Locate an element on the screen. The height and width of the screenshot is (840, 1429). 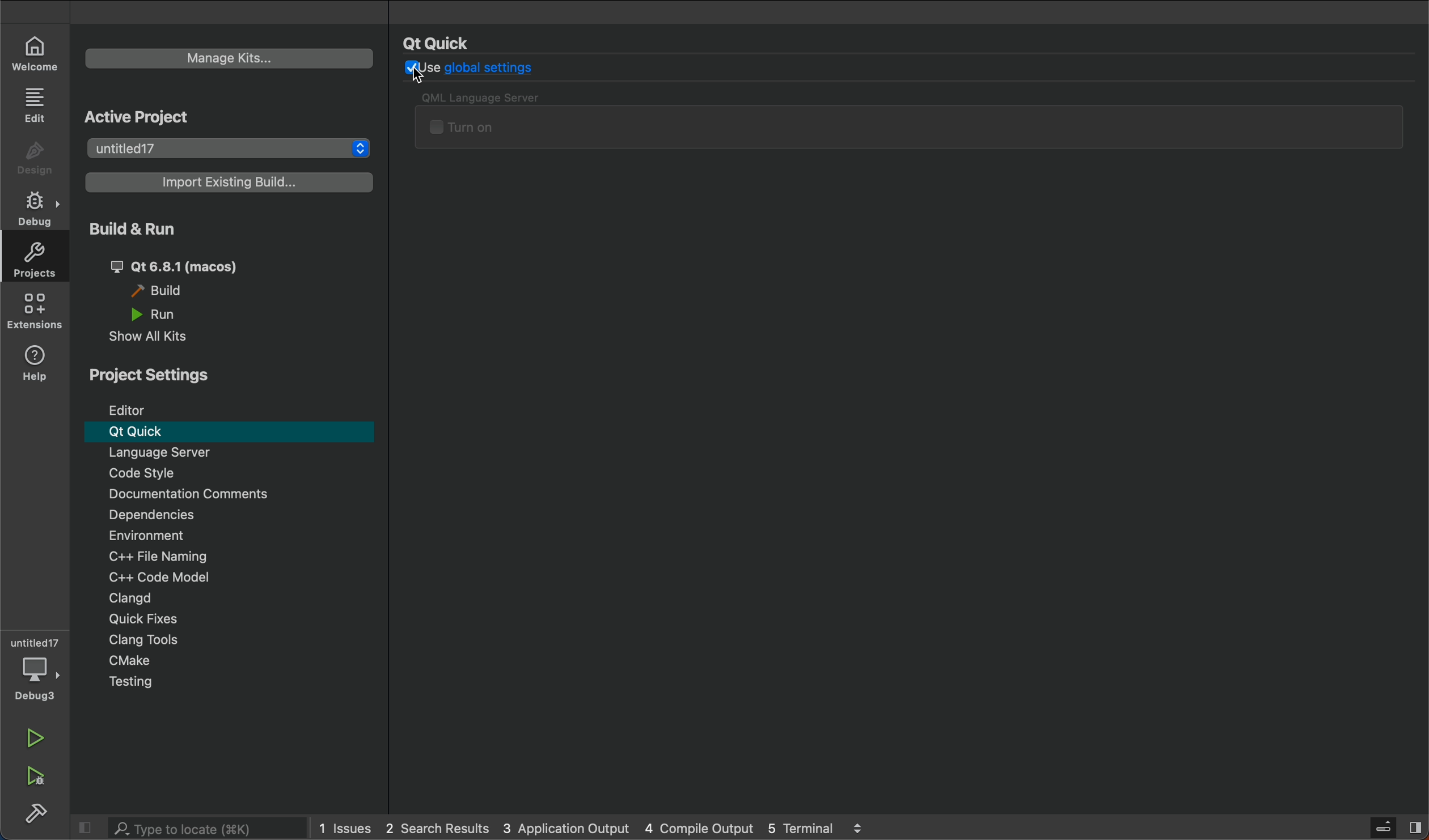
clangd is located at coordinates (232, 597).